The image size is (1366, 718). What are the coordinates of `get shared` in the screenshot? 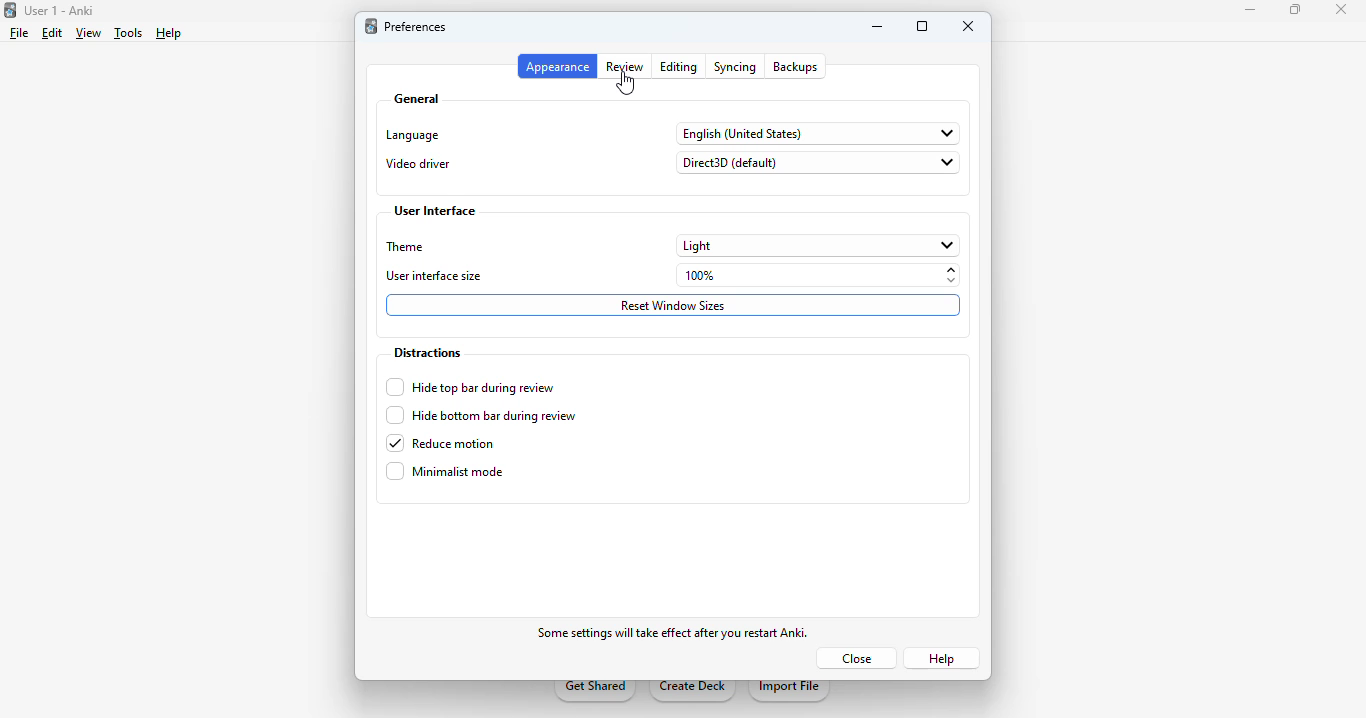 It's located at (596, 691).